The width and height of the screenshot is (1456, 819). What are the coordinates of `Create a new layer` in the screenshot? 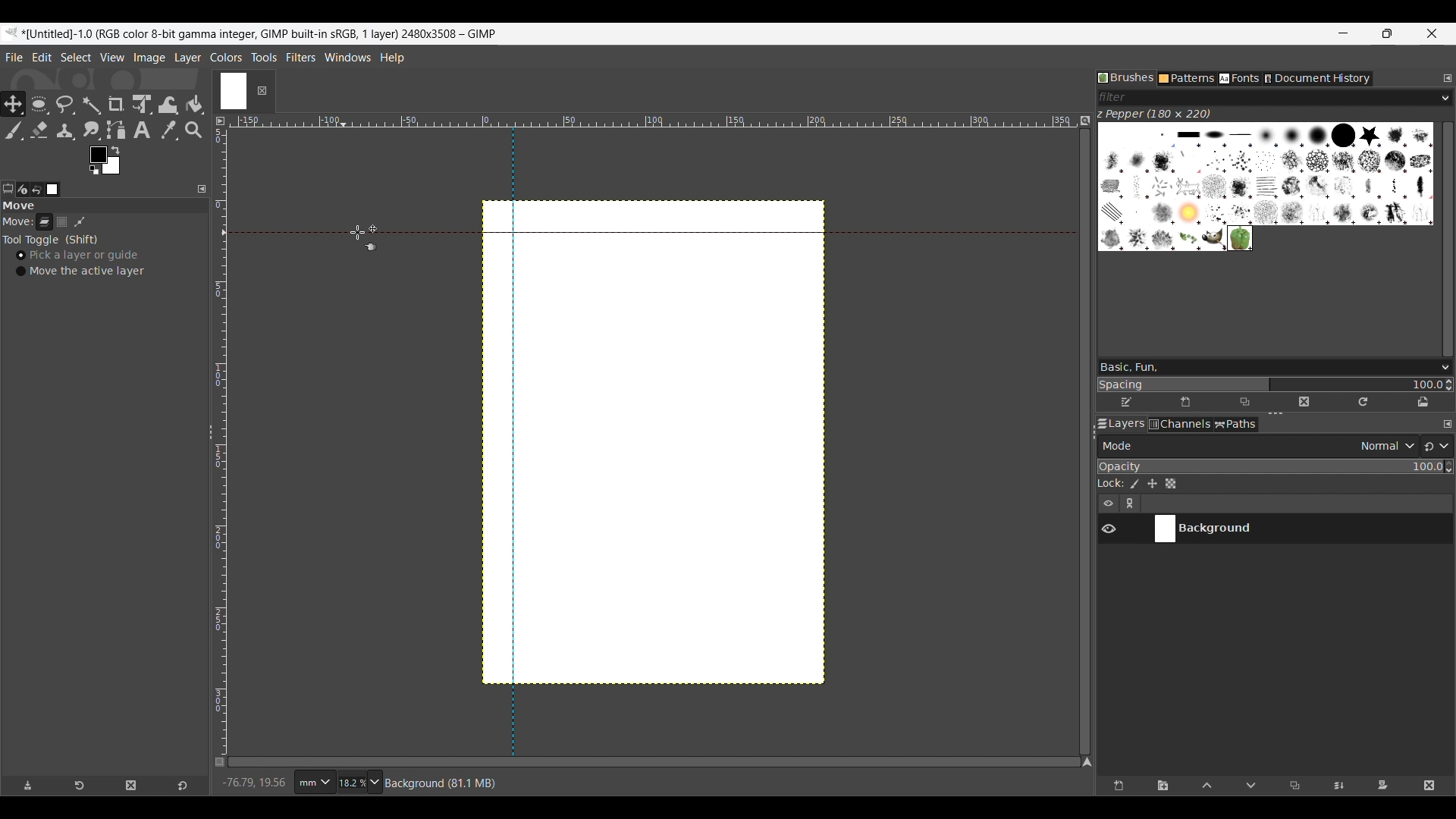 It's located at (1118, 786).